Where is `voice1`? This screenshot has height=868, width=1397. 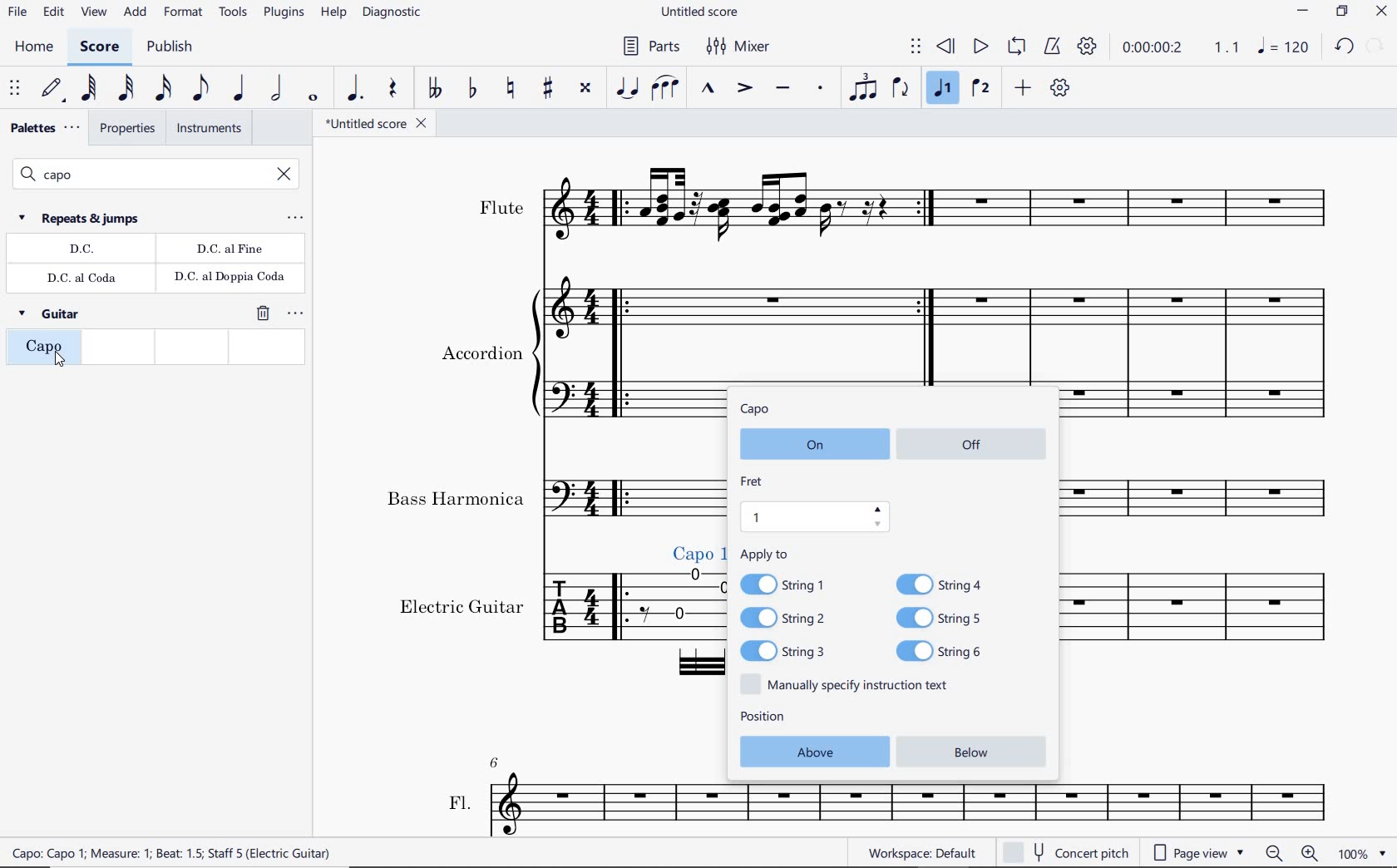
voice1 is located at coordinates (943, 87).